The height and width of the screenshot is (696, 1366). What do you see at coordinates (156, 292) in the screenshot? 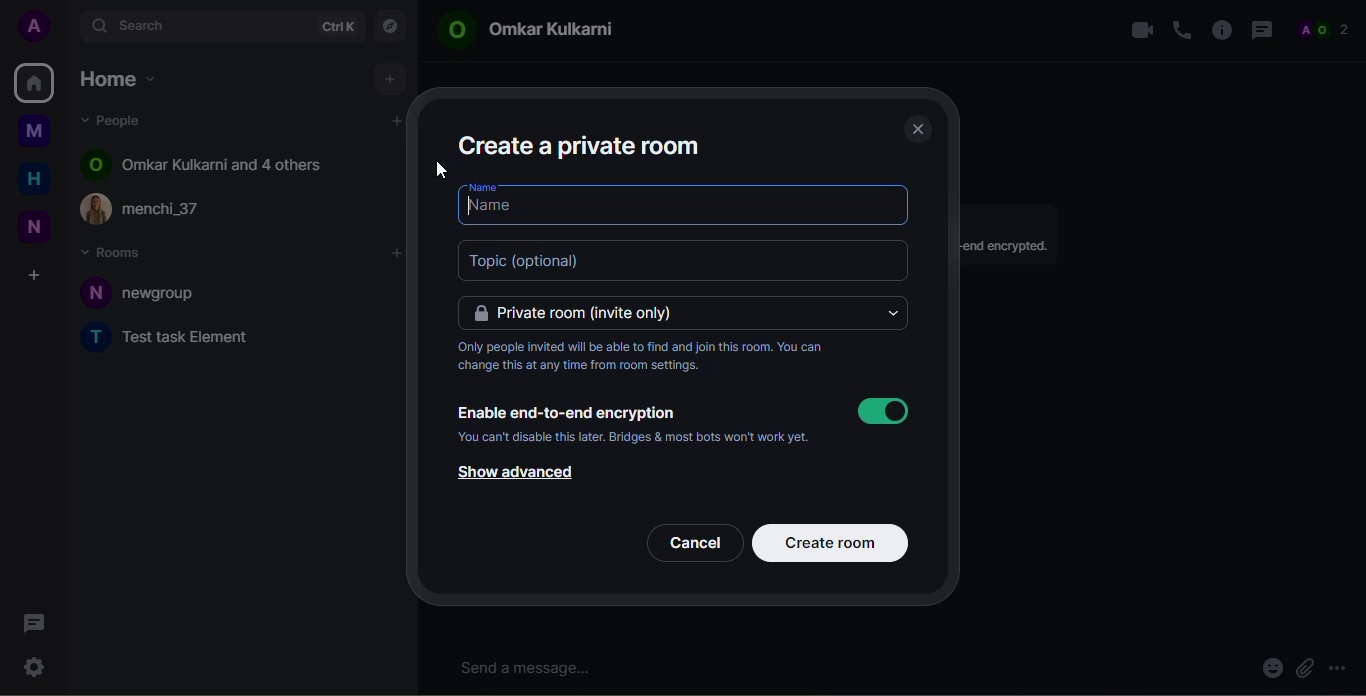
I see `N newgroup` at bounding box center [156, 292].